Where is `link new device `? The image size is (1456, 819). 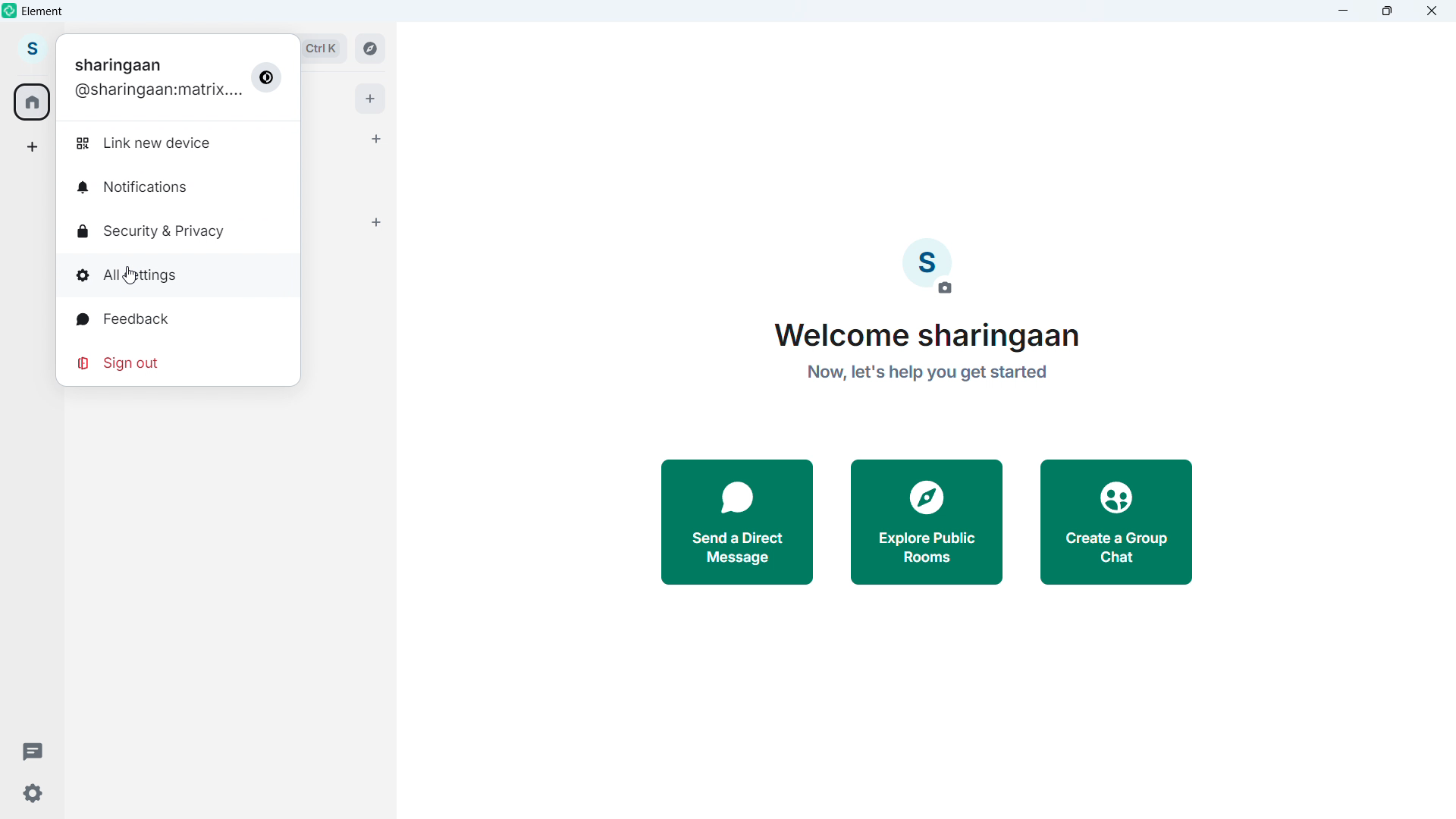
link new device  is located at coordinates (150, 143).